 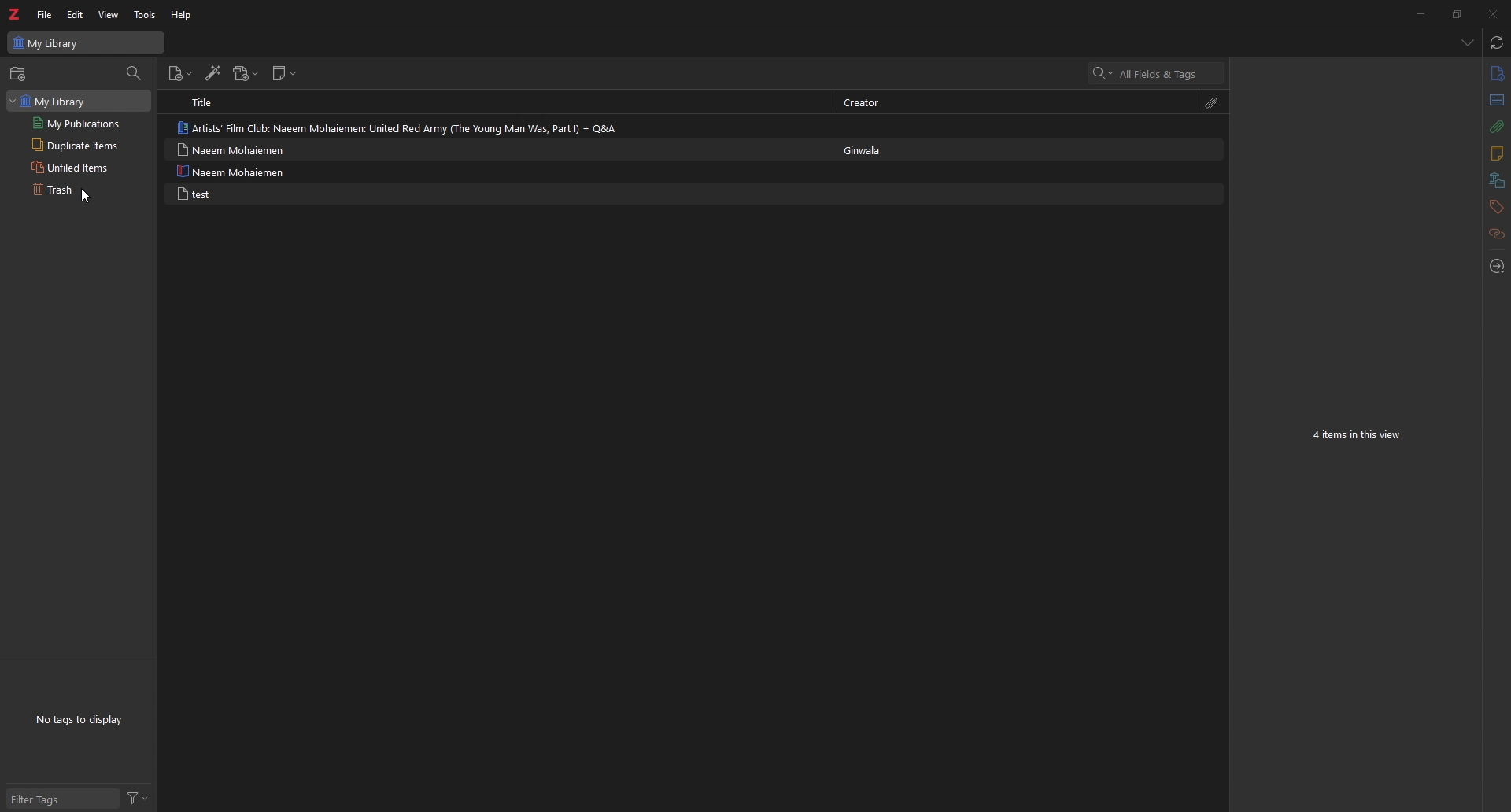 I want to click on tags to display, so click(x=83, y=720).